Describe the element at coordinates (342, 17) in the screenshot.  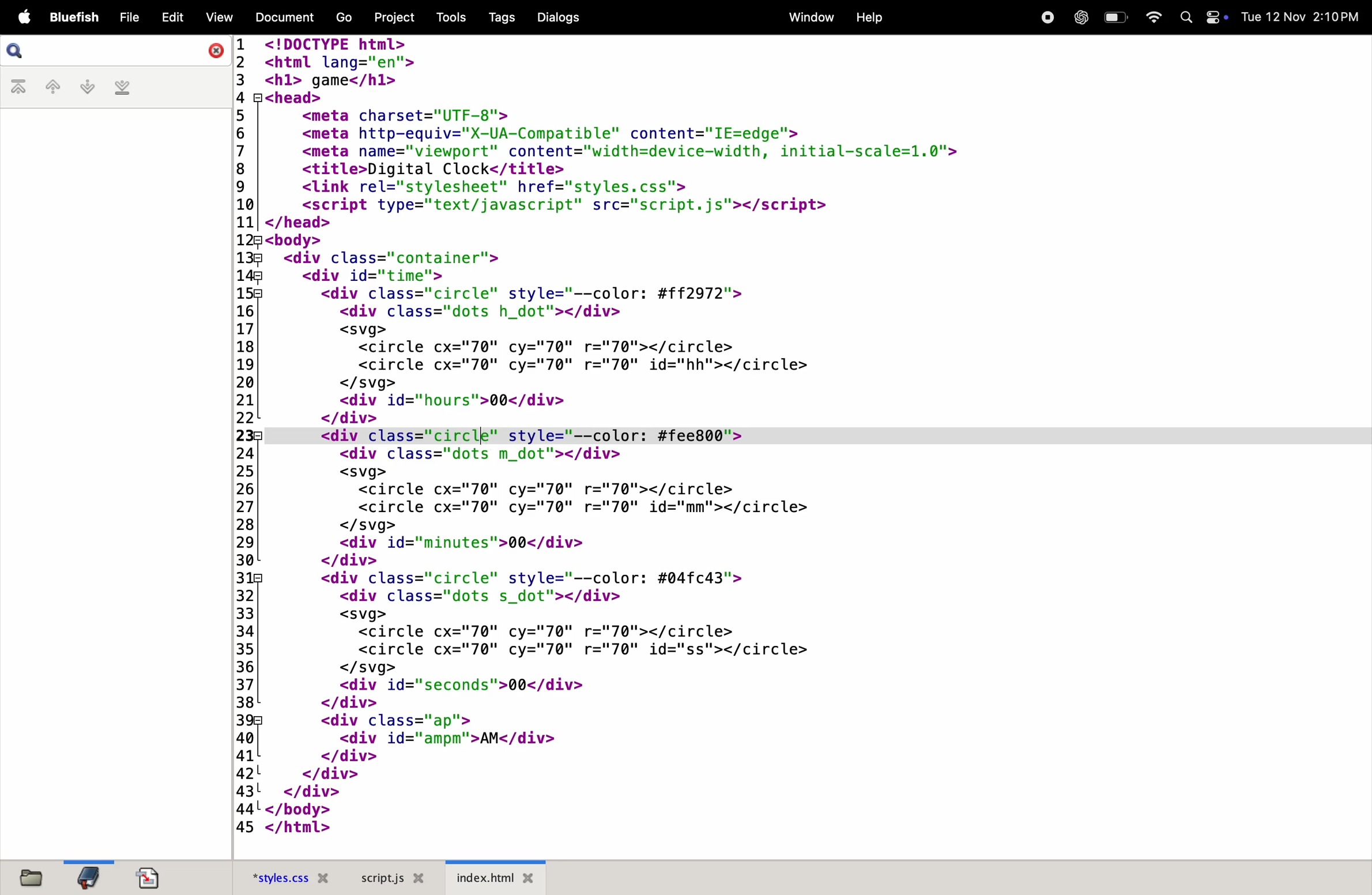
I see `go` at that location.